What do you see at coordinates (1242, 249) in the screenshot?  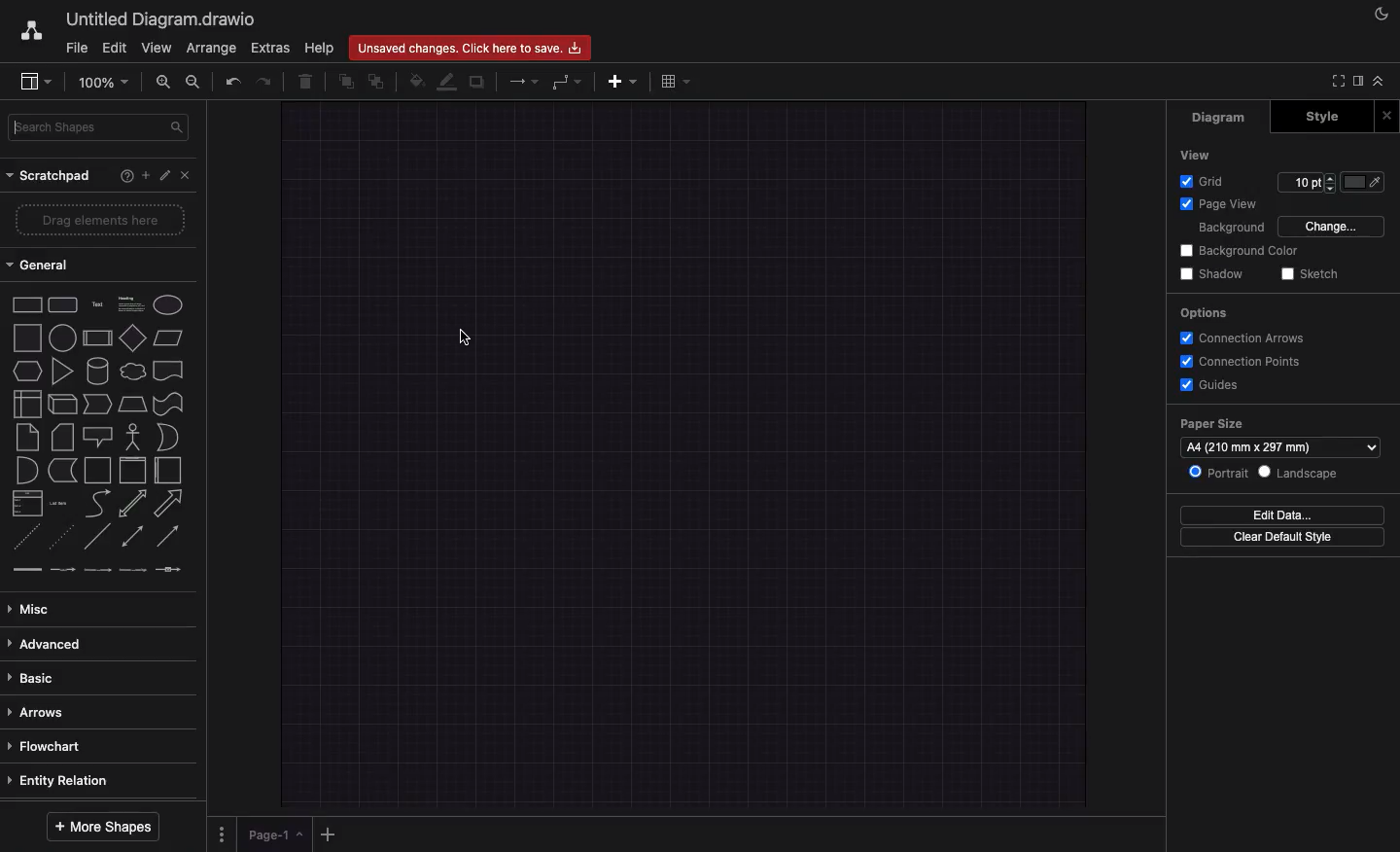 I see `Background color` at bounding box center [1242, 249].